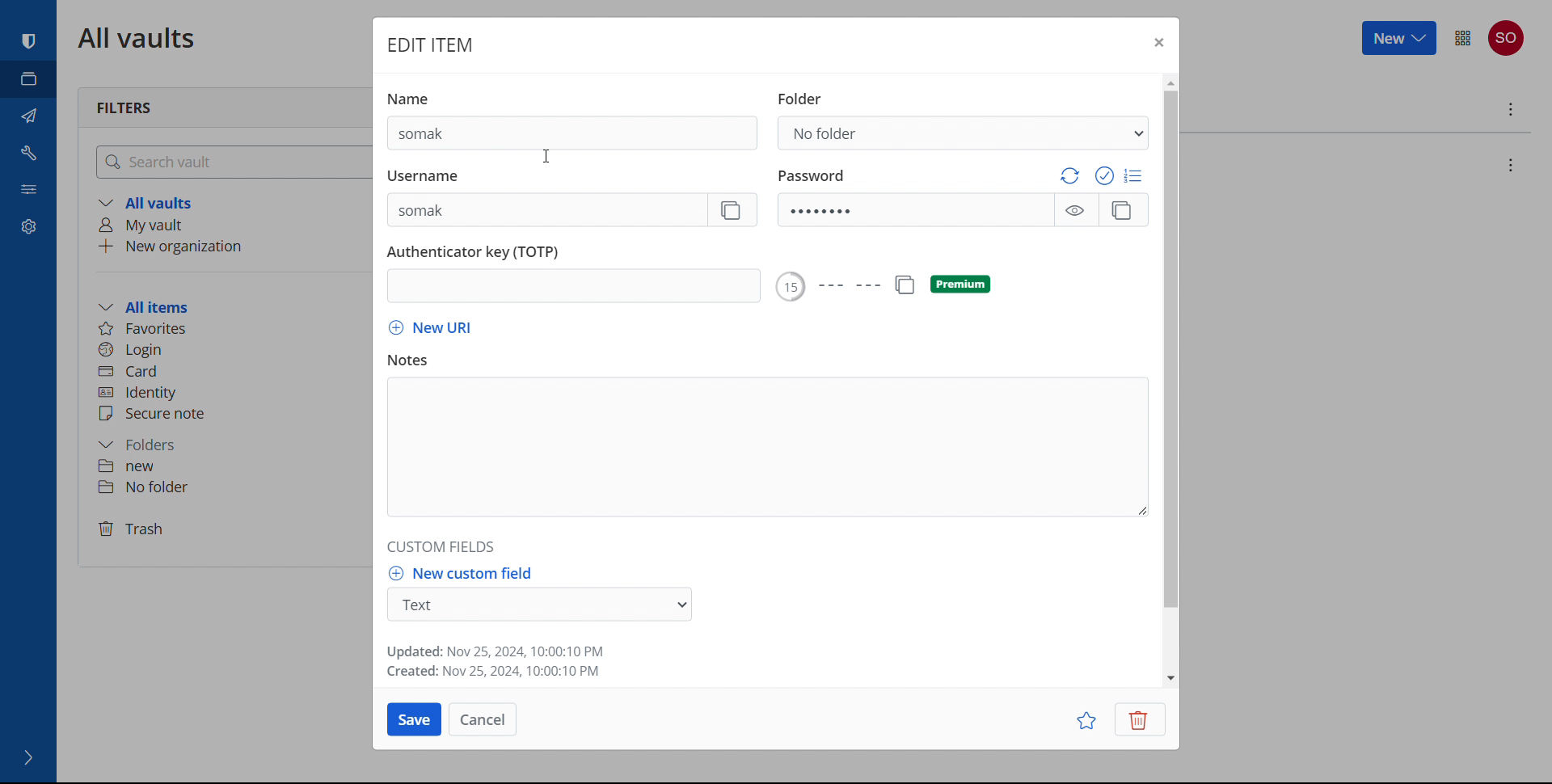 This screenshot has width=1552, height=784. I want to click on close, so click(1158, 41).